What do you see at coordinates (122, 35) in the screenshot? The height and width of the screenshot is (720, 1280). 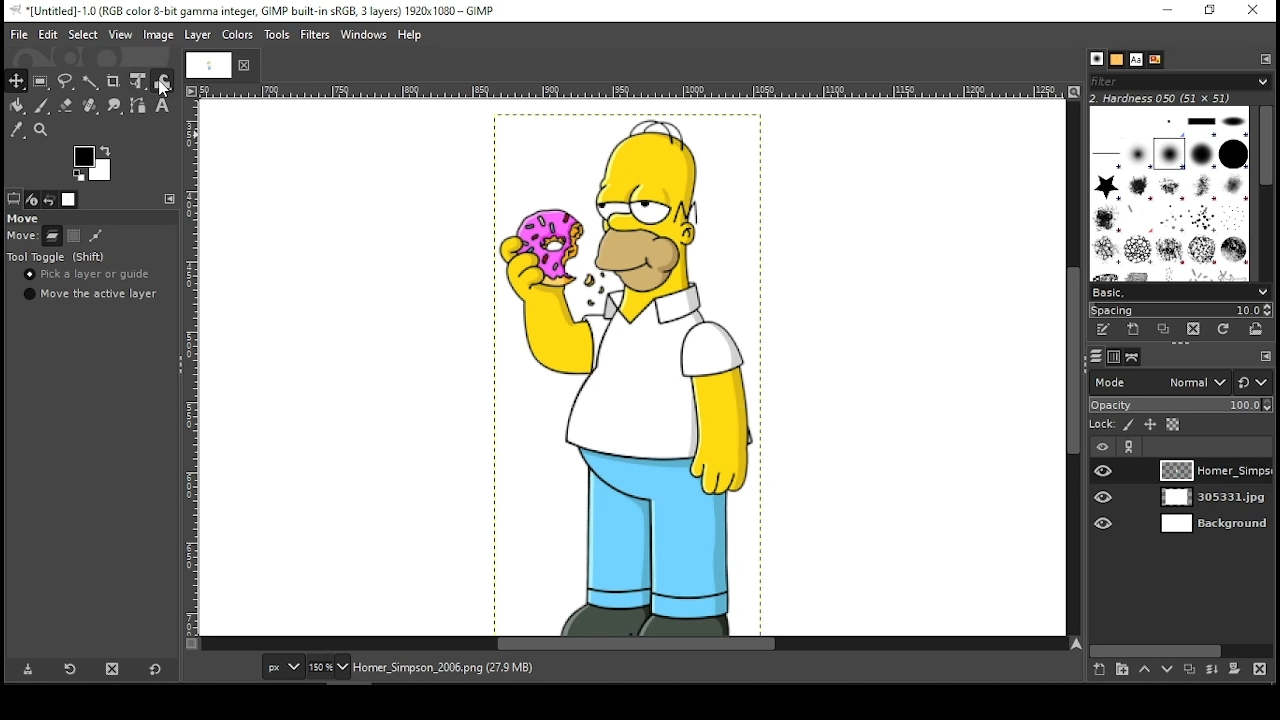 I see `view` at bounding box center [122, 35].